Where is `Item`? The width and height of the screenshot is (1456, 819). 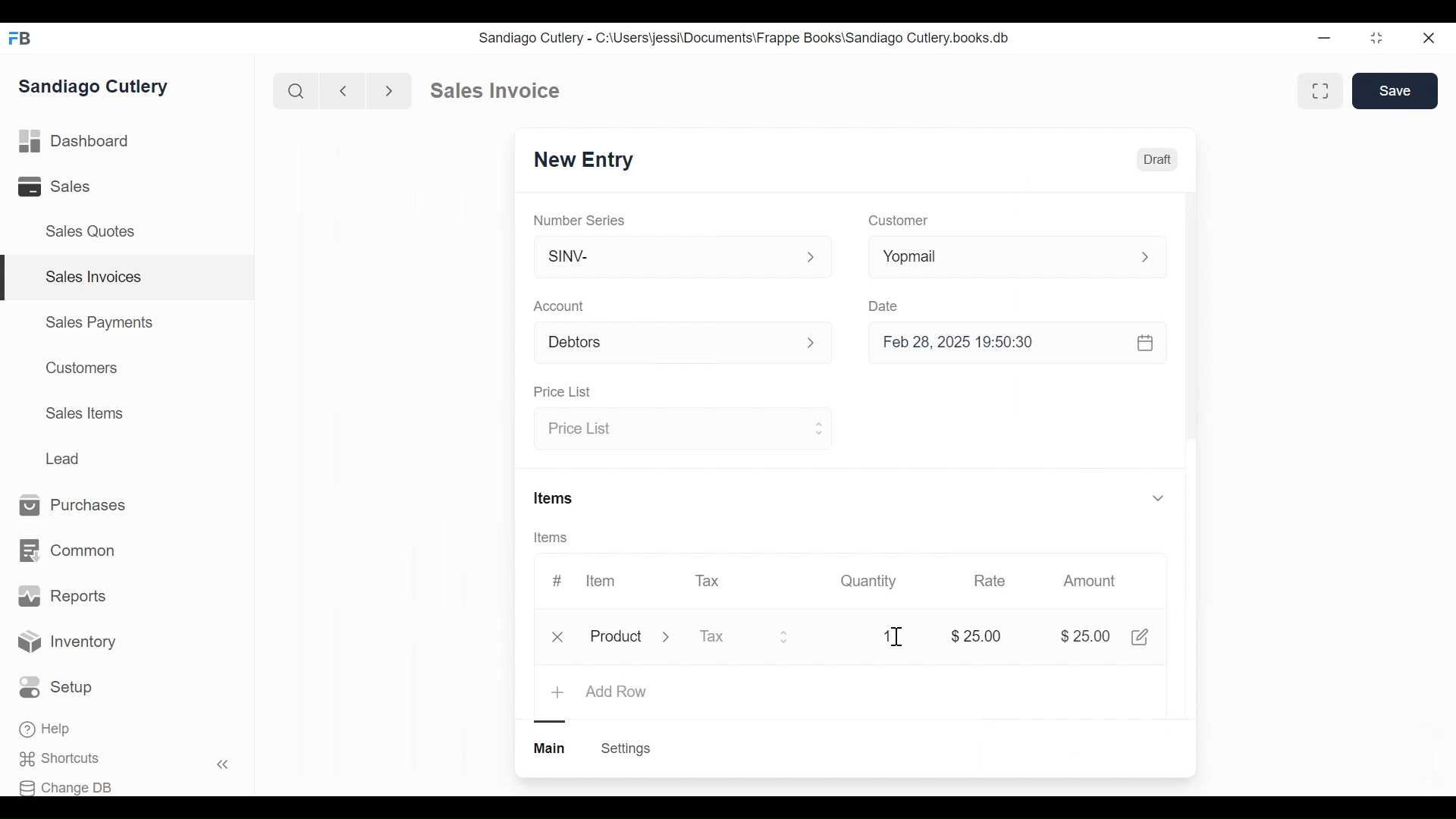
Item is located at coordinates (602, 581).